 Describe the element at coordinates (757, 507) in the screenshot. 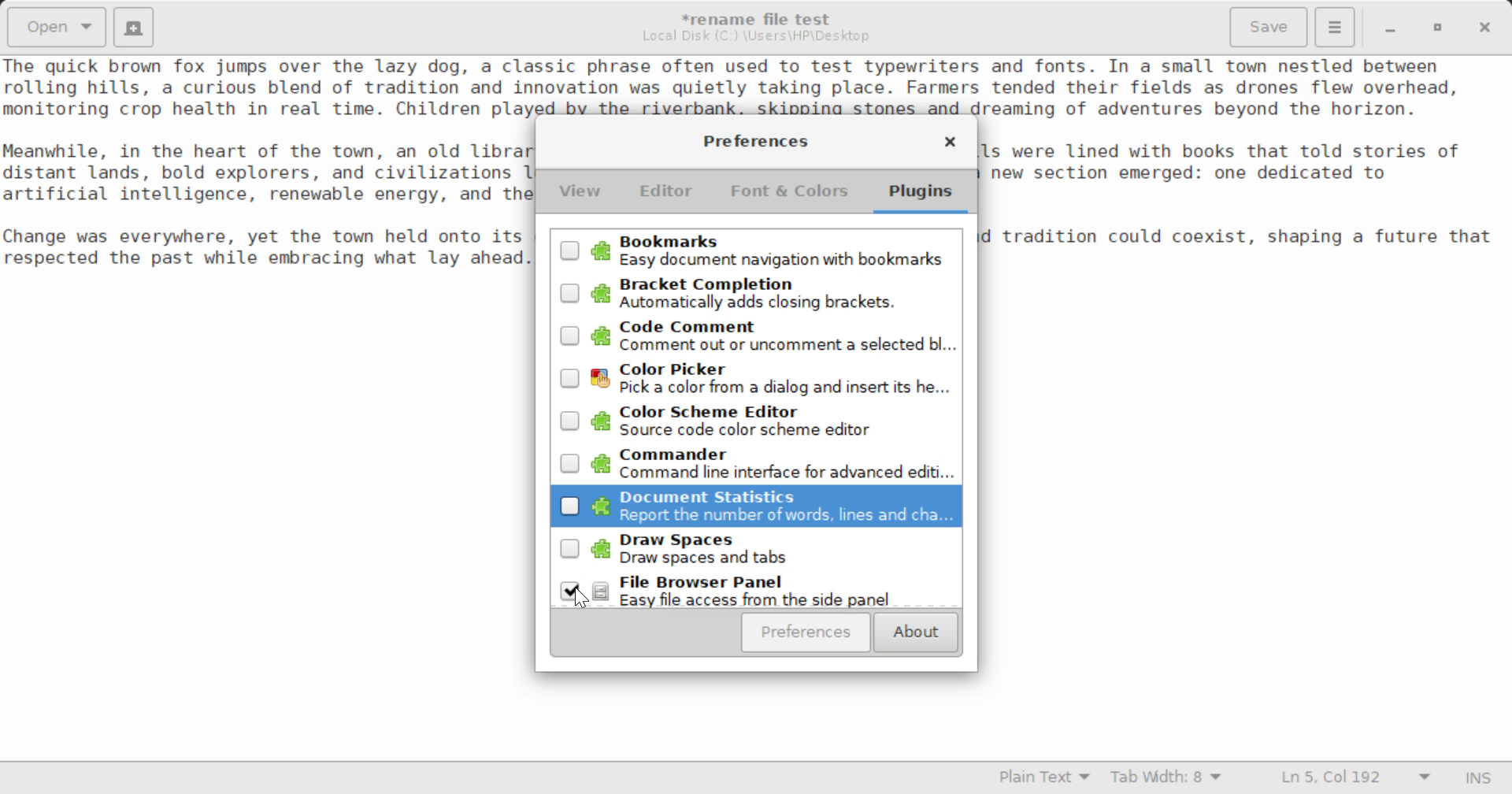

I see `Unselected Document Statistics ` at that location.